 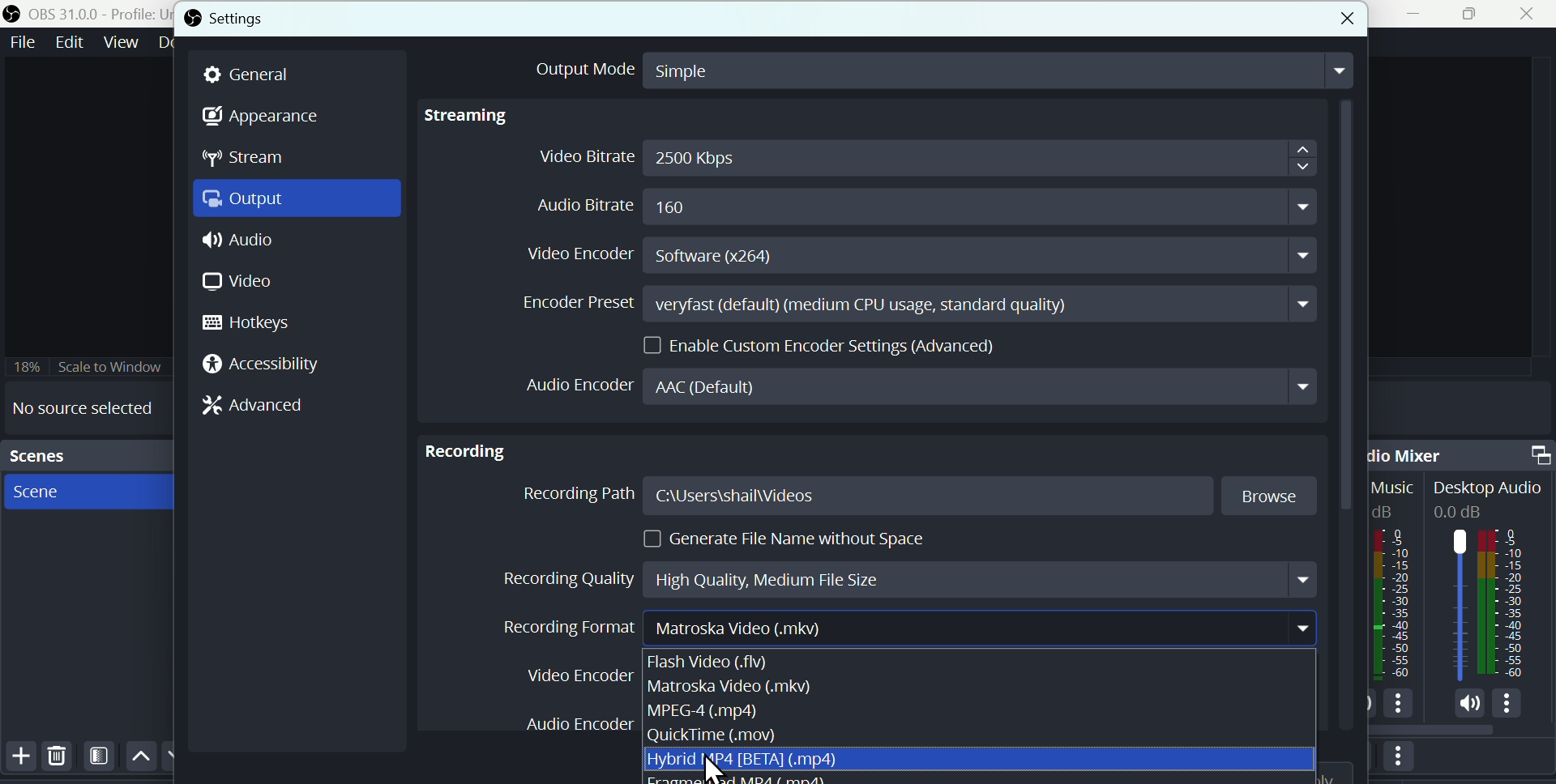 What do you see at coordinates (924, 386) in the screenshot?
I see `Audio encoder` at bounding box center [924, 386].